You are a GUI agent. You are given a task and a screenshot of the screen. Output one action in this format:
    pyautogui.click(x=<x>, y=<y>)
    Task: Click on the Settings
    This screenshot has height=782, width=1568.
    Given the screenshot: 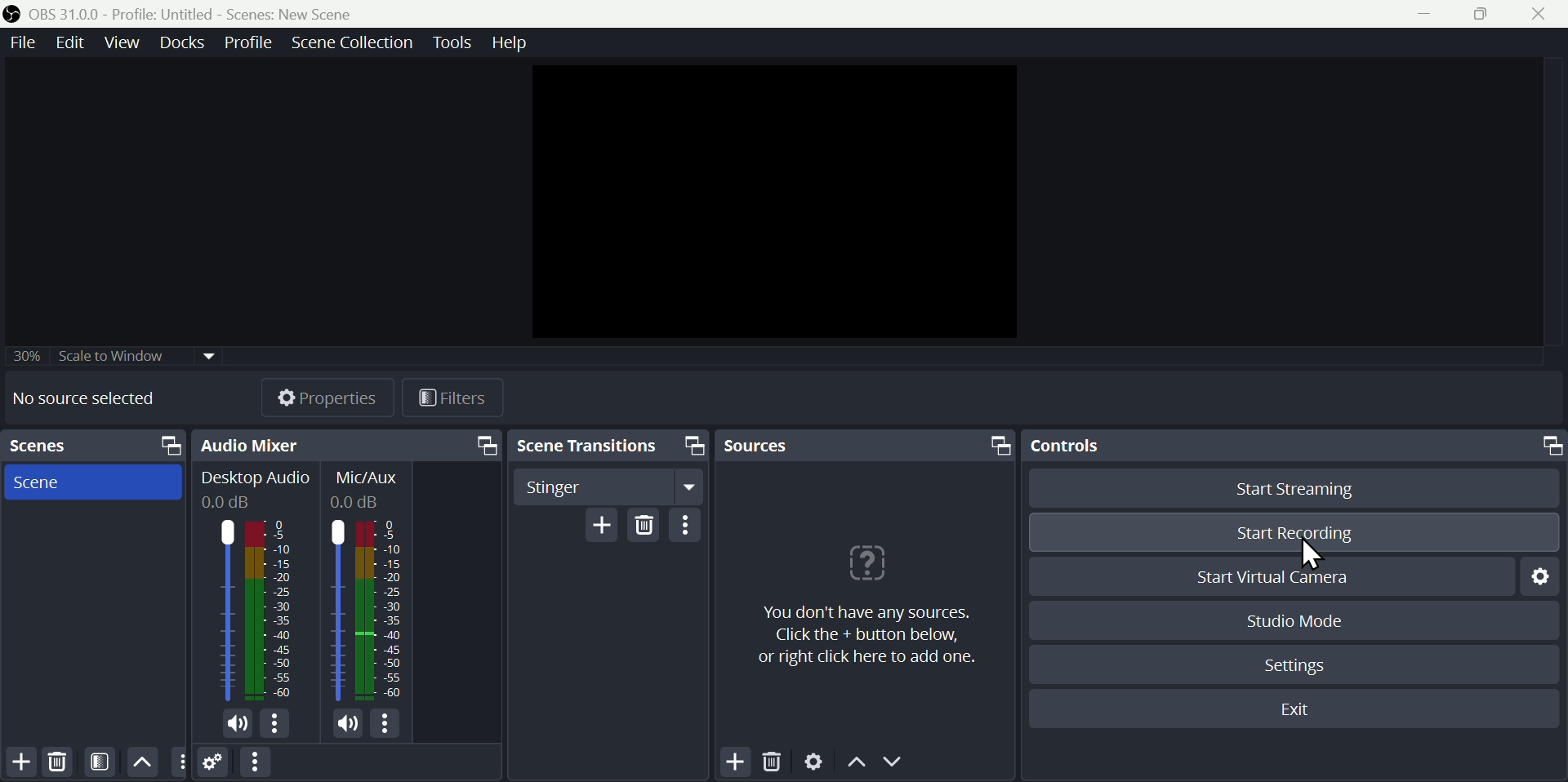 What is the action you would take?
    pyautogui.click(x=817, y=762)
    